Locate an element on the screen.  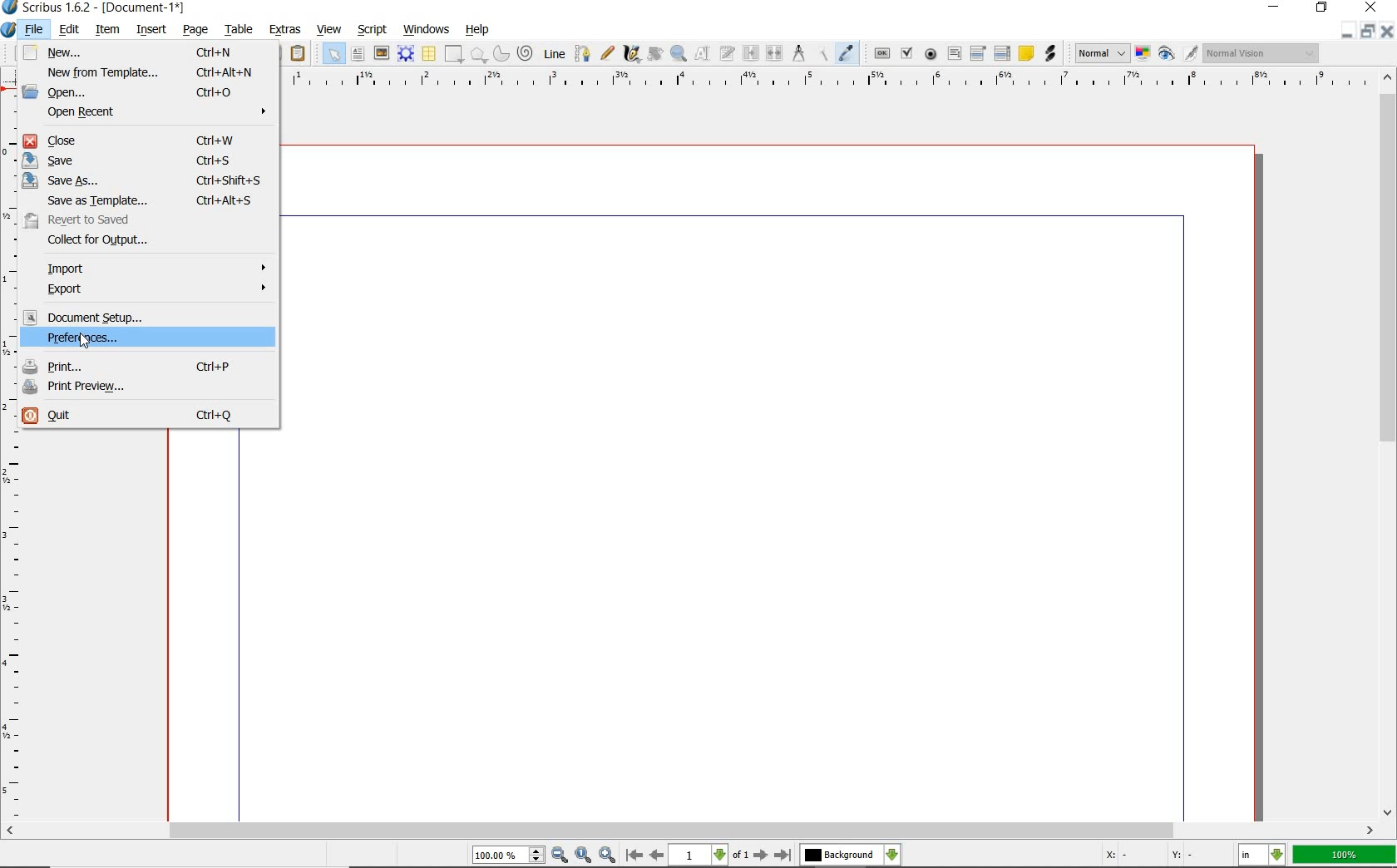
windows is located at coordinates (427, 30).